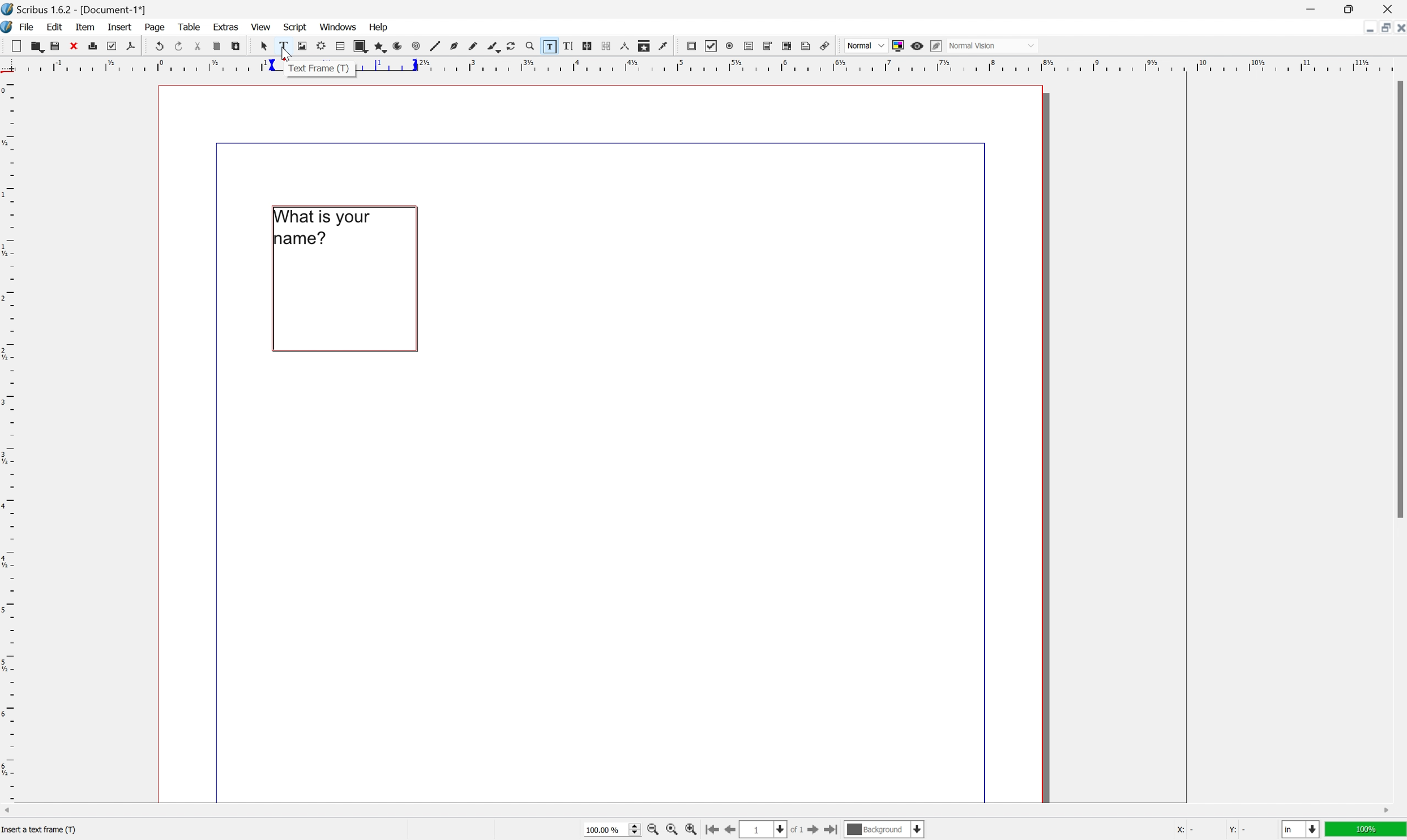 This screenshot has height=840, width=1407. Describe the element at coordinates (17, 45) in the screenshot. I see `new` at that location.